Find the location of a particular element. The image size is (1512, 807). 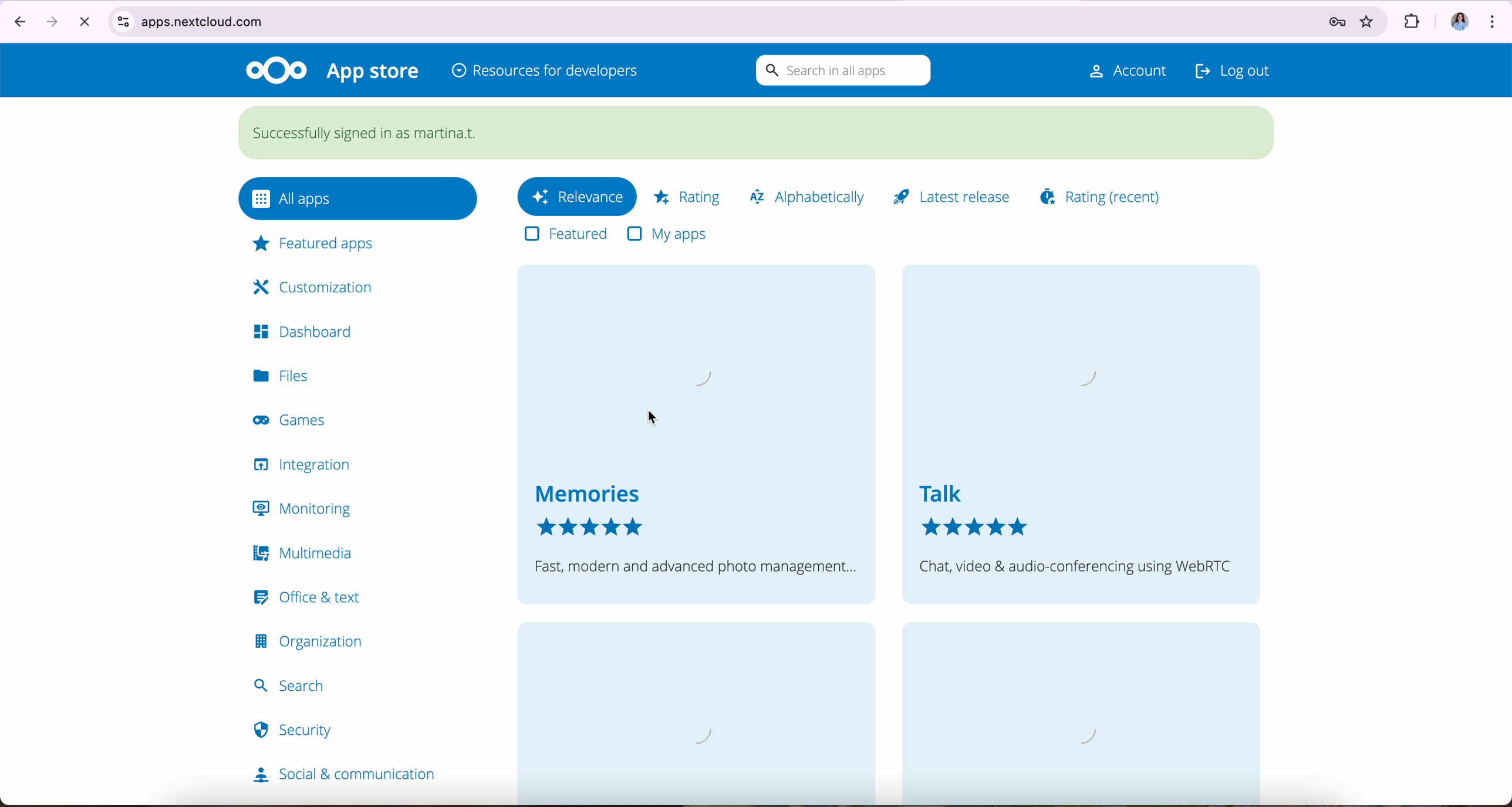

features is located at coordinates (565, 235).